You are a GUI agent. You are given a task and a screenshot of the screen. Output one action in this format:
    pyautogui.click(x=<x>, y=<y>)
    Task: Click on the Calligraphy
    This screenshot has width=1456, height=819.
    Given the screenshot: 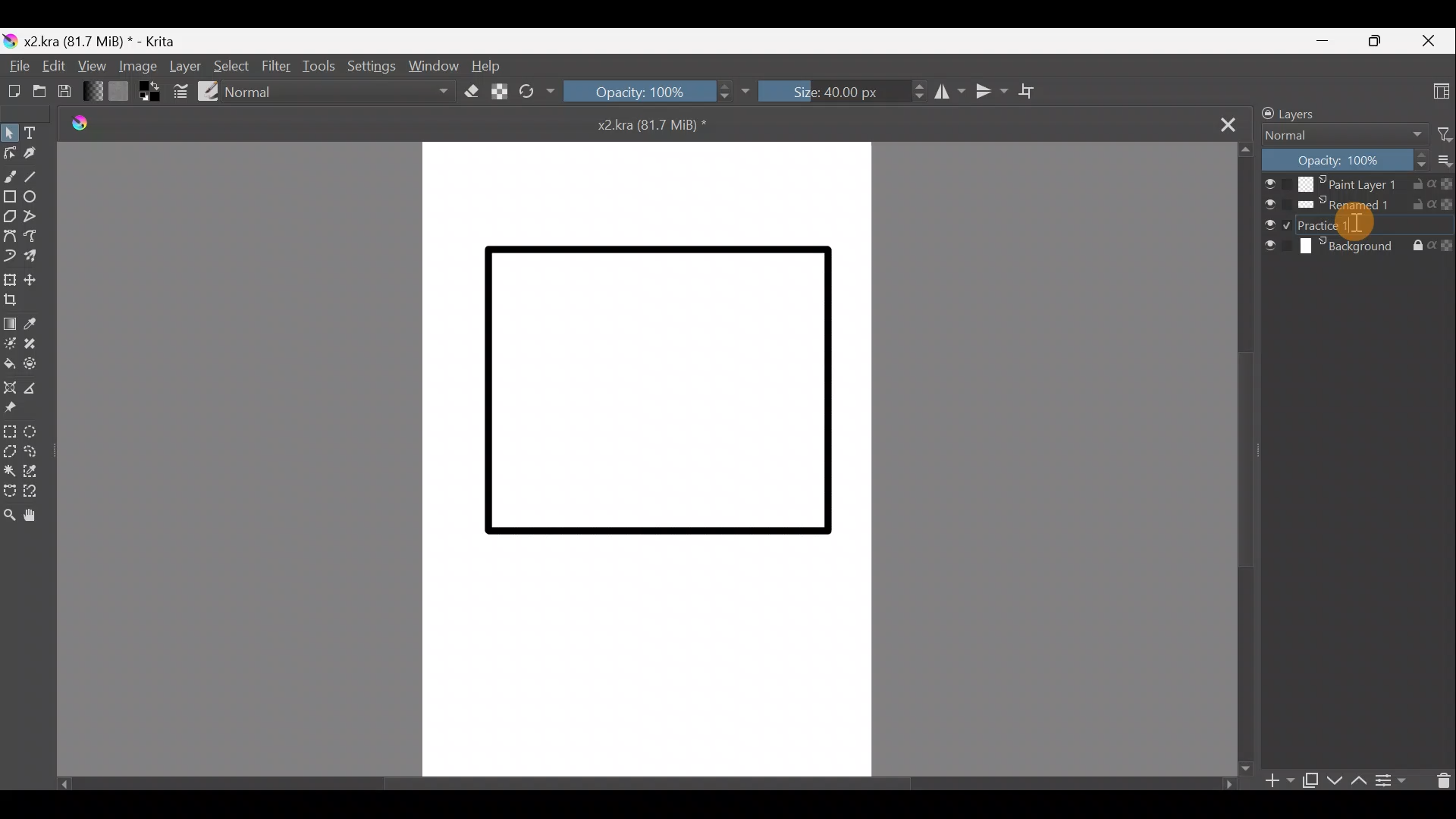 What is the action you would take?
    pyautogui.click(x=33, y=152)
    